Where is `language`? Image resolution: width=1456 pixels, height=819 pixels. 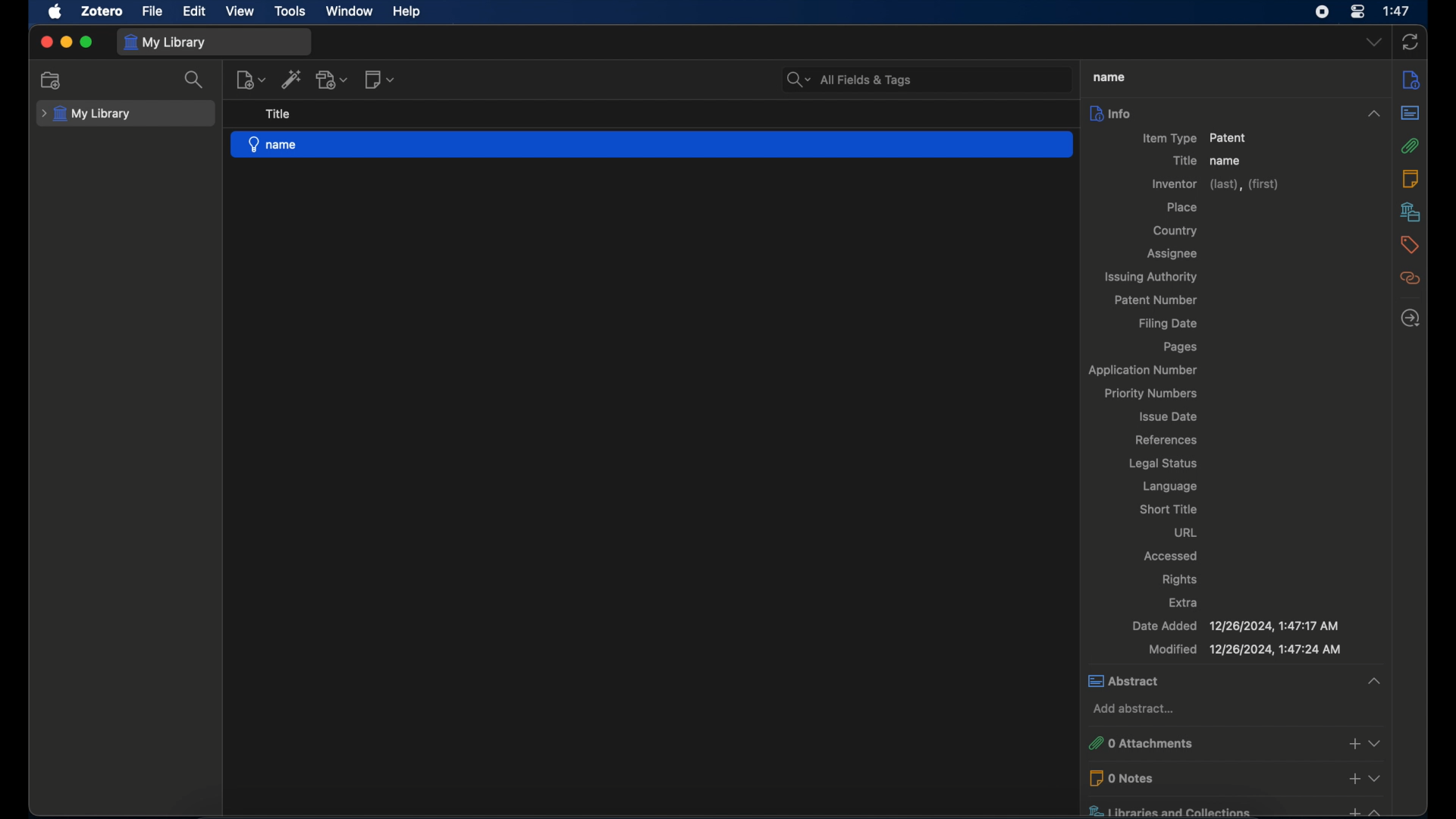
language is located at coordinates (1170, 486).